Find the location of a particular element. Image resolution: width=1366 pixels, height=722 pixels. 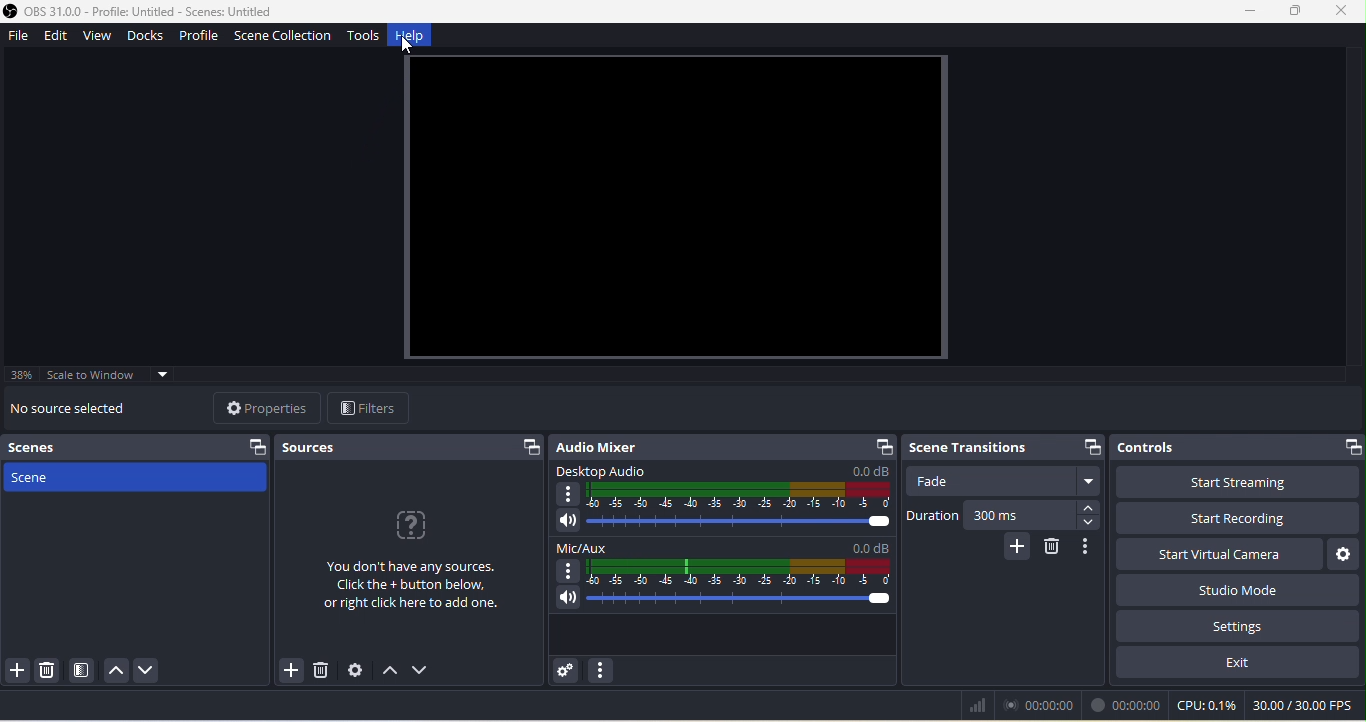

view is located at coordinates (101, 37).